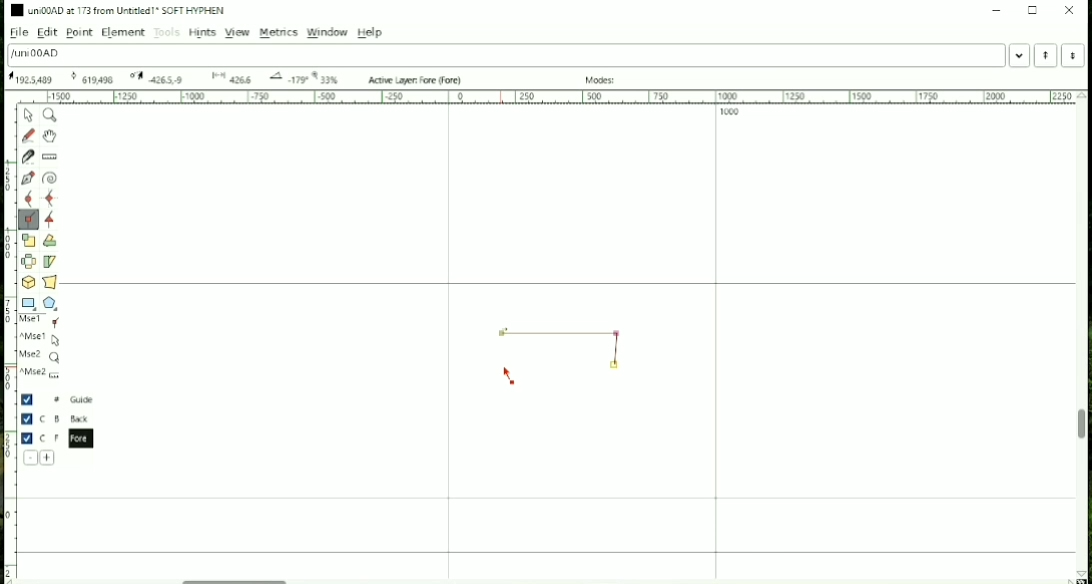 The image size is (1092, 584). What do you see at coordinates (51, 157) in the screenshot?
I see `Measure distance, angle between points` at bounding box center [51, 157].